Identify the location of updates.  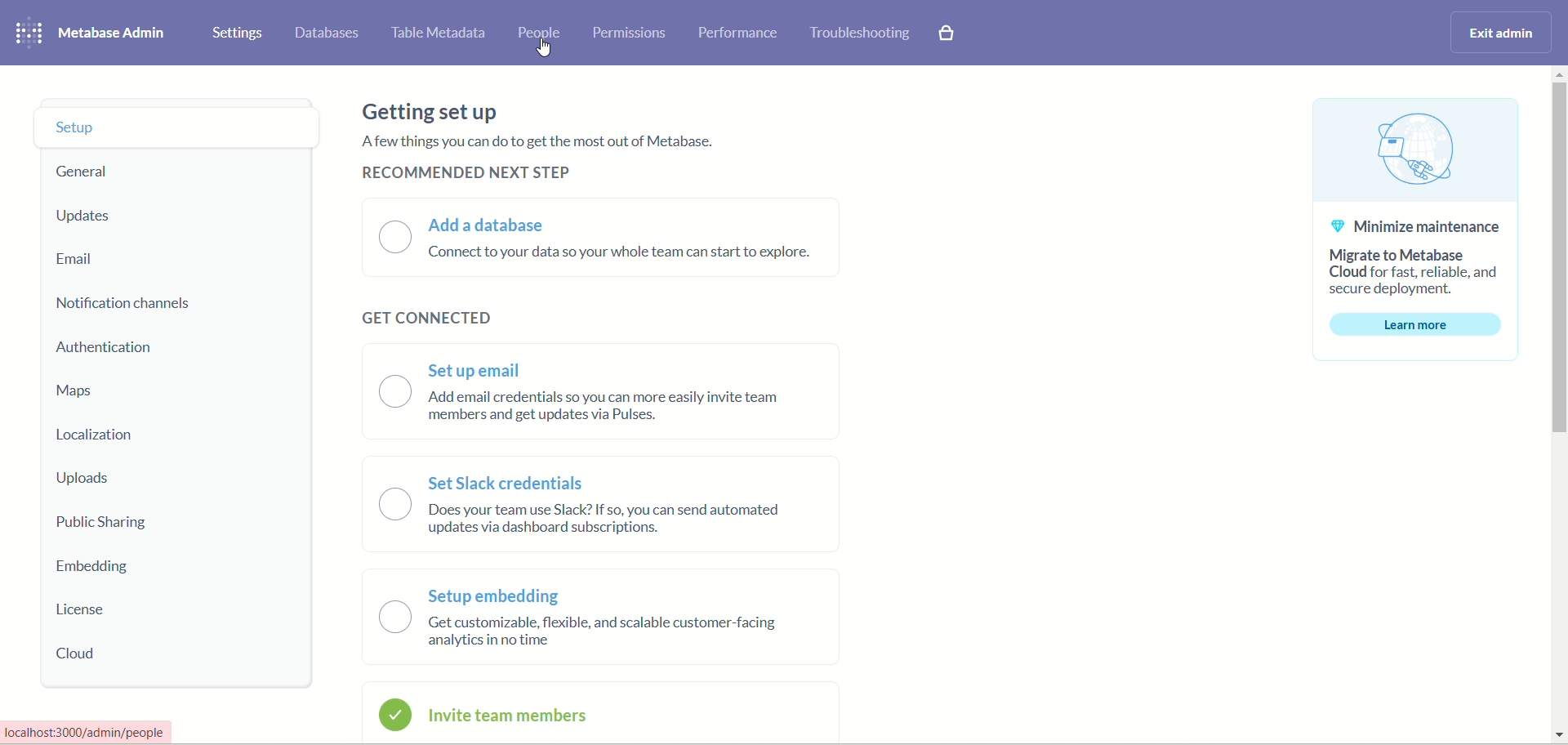
(85, 218).